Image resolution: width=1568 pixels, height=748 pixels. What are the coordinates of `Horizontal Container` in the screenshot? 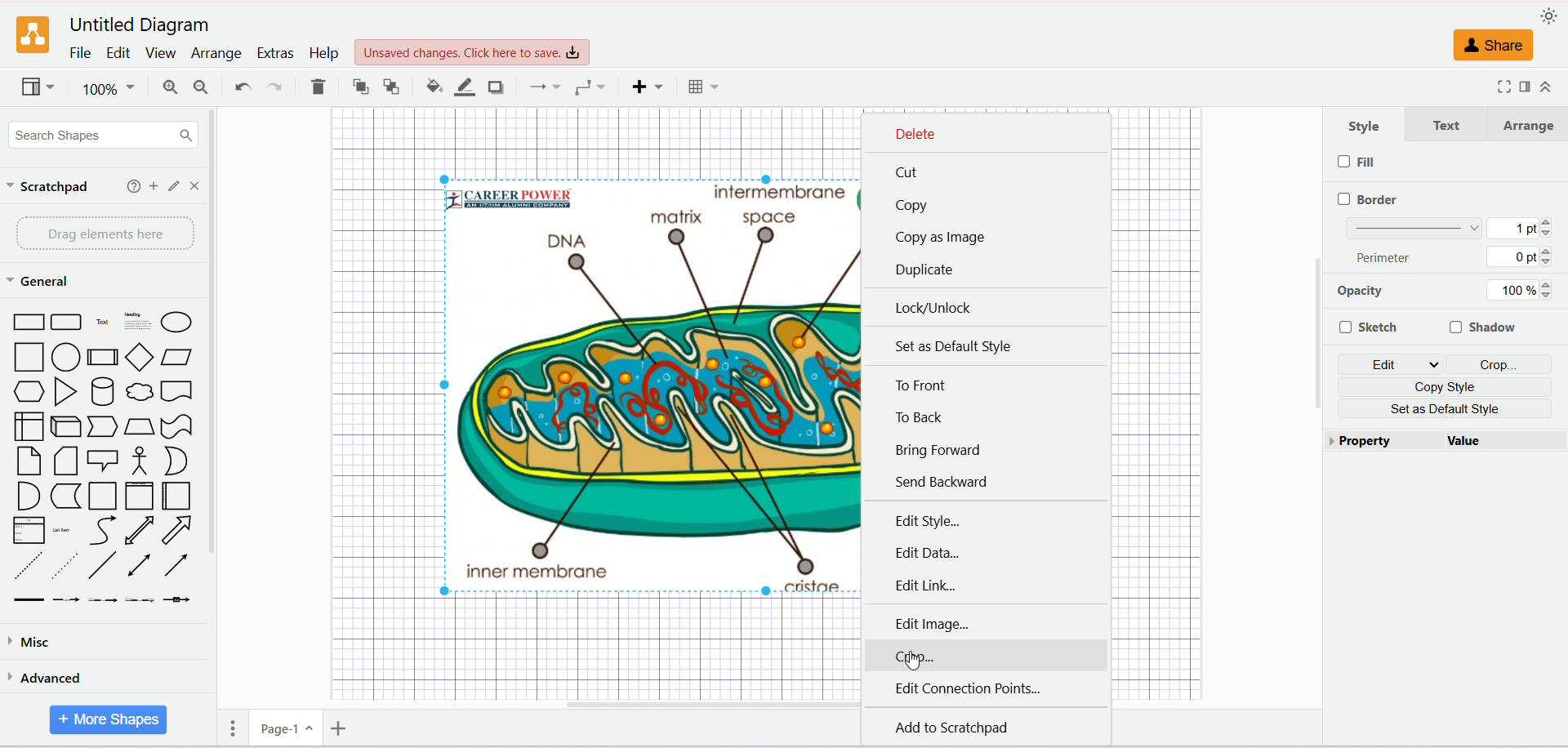 It's located at (178, 497).